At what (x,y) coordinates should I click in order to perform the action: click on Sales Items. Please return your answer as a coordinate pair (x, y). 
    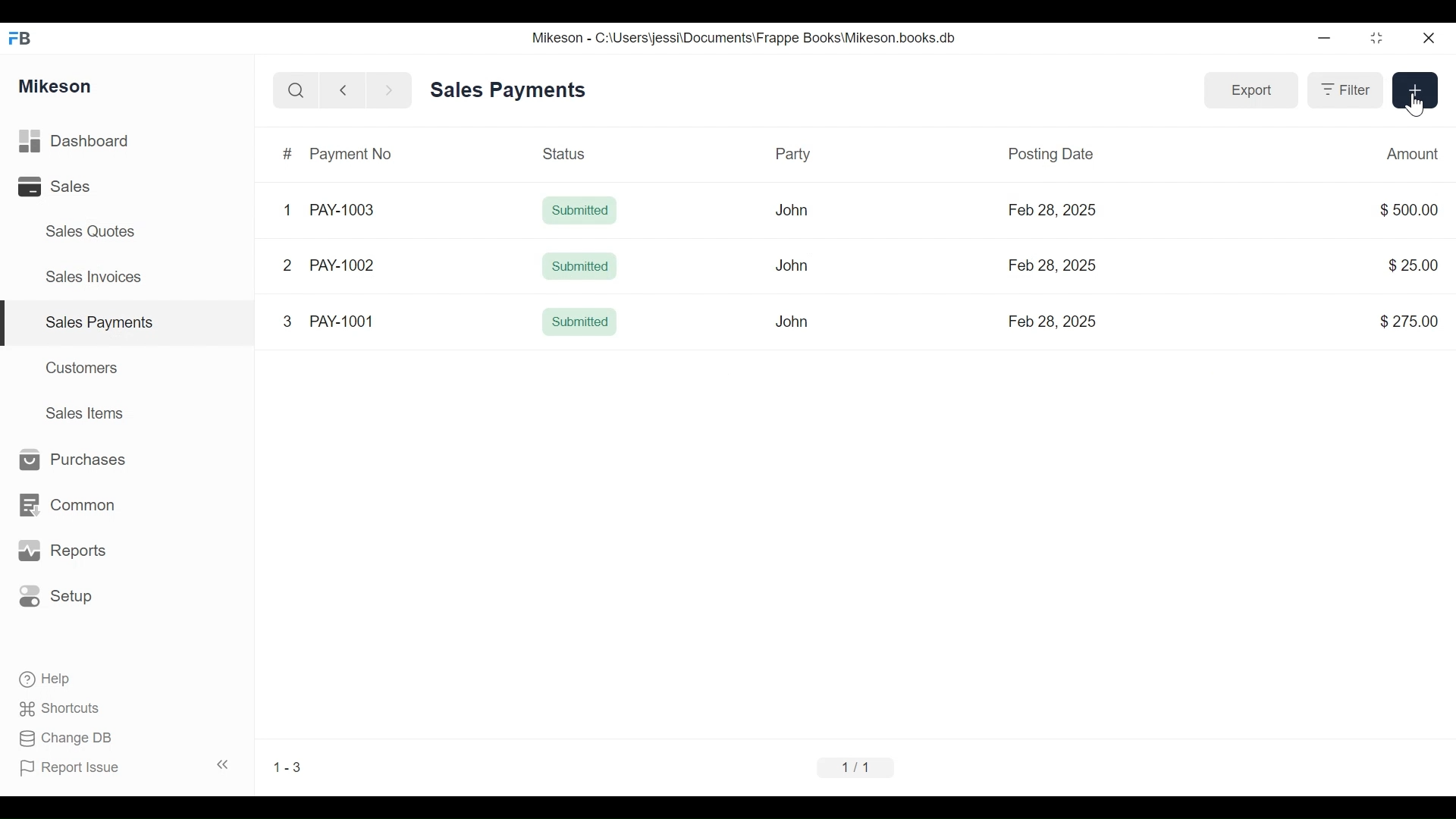
    Looking at the image, I should click on (92, 414).